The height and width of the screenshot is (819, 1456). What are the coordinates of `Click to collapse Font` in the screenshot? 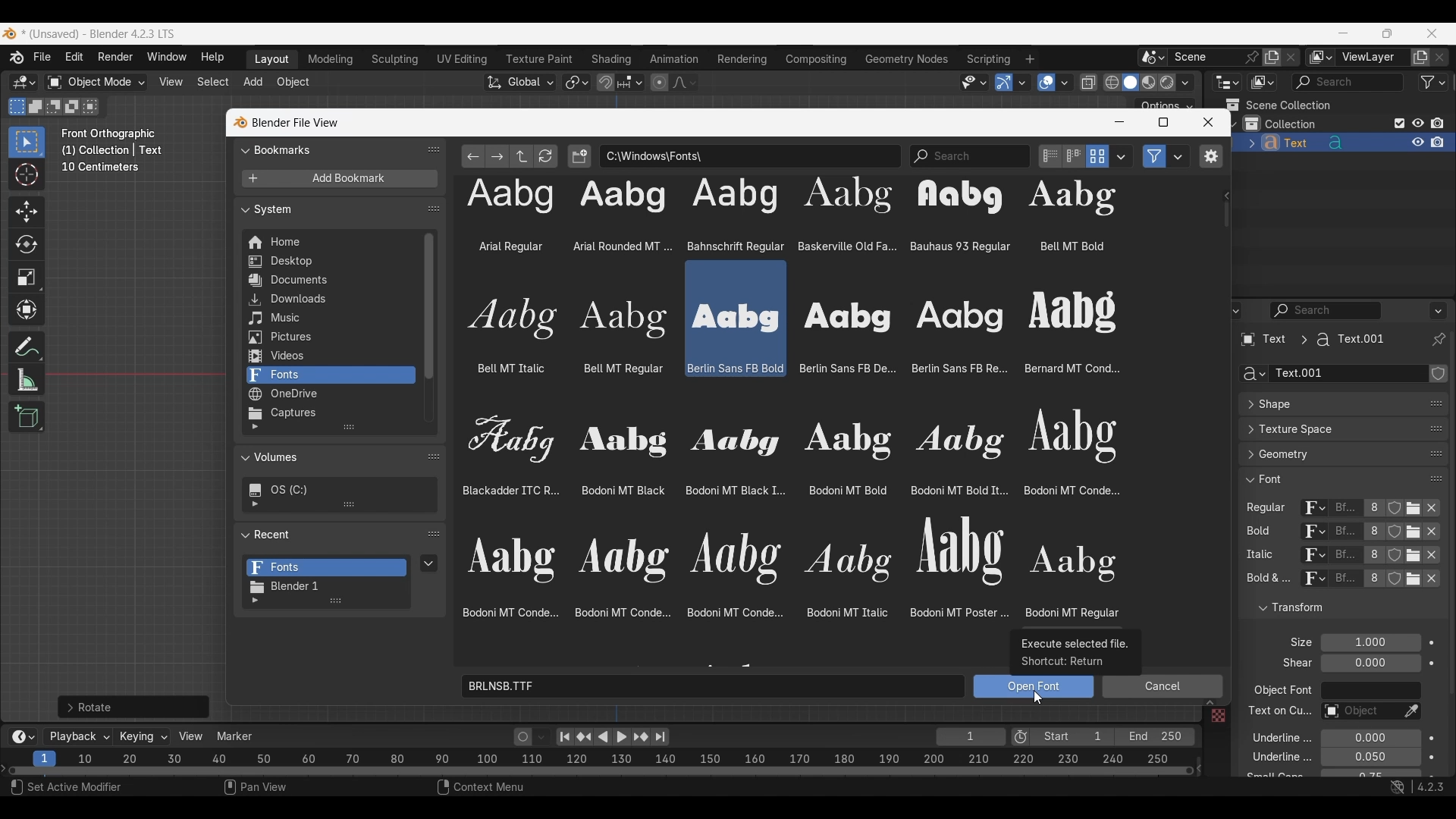 It's located at (1328, 479).